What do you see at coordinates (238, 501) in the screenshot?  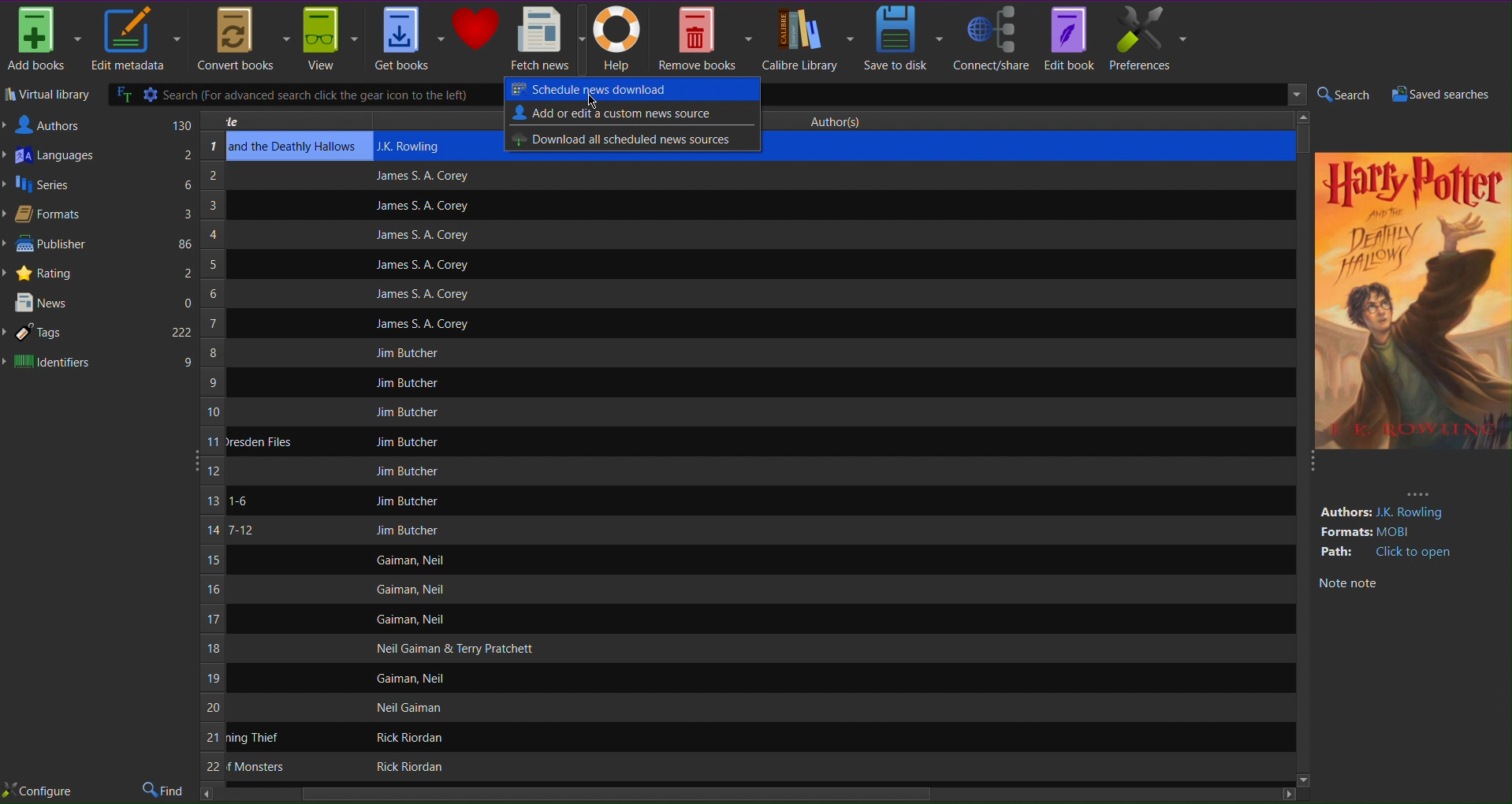 I see `1-6` at bounding box center [238, 501].